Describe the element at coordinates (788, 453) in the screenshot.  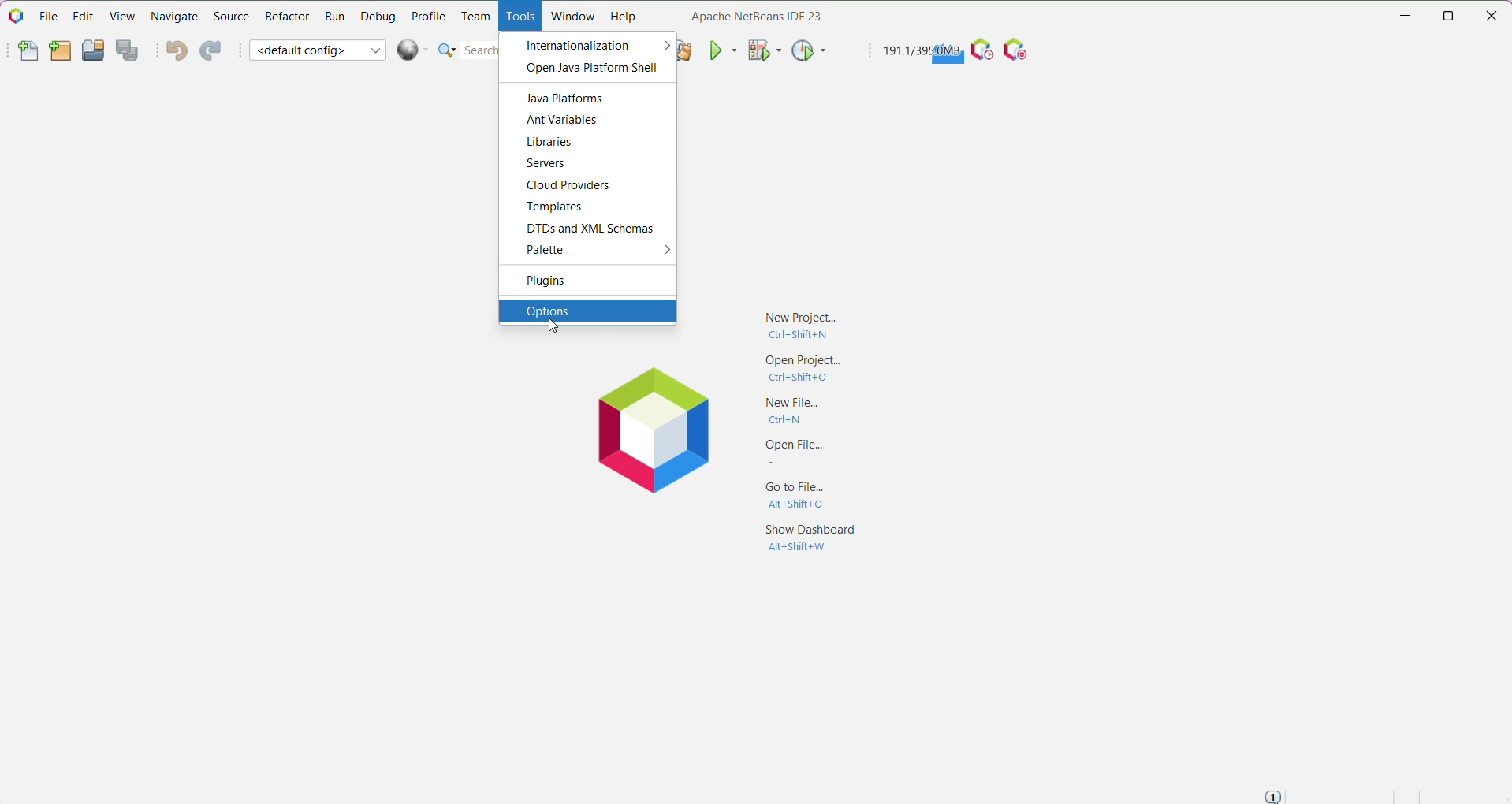
I see `Open File` at that location.